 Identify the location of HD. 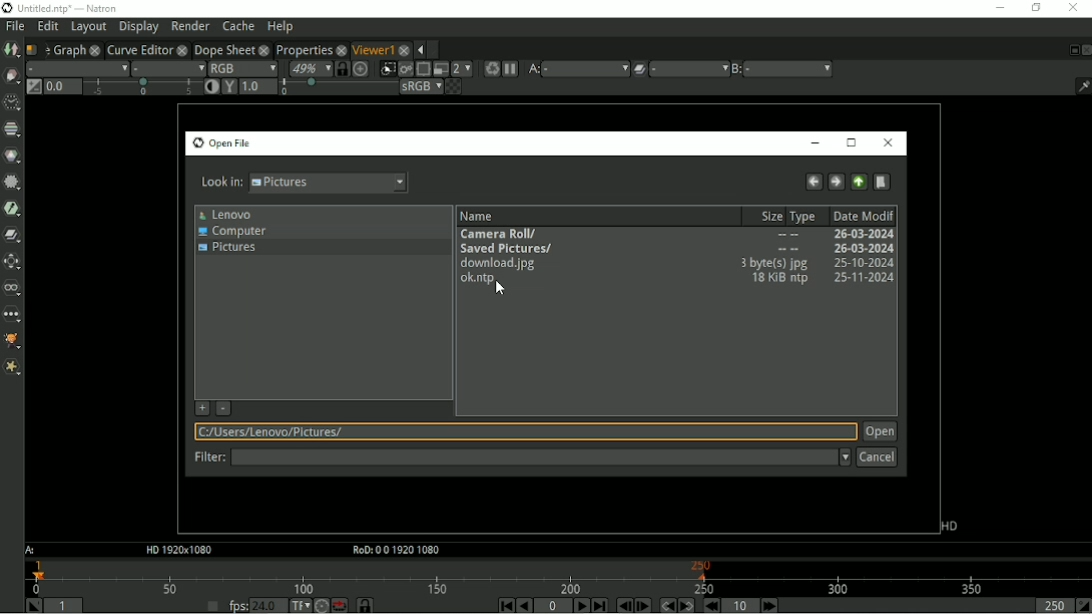
(949, 526).